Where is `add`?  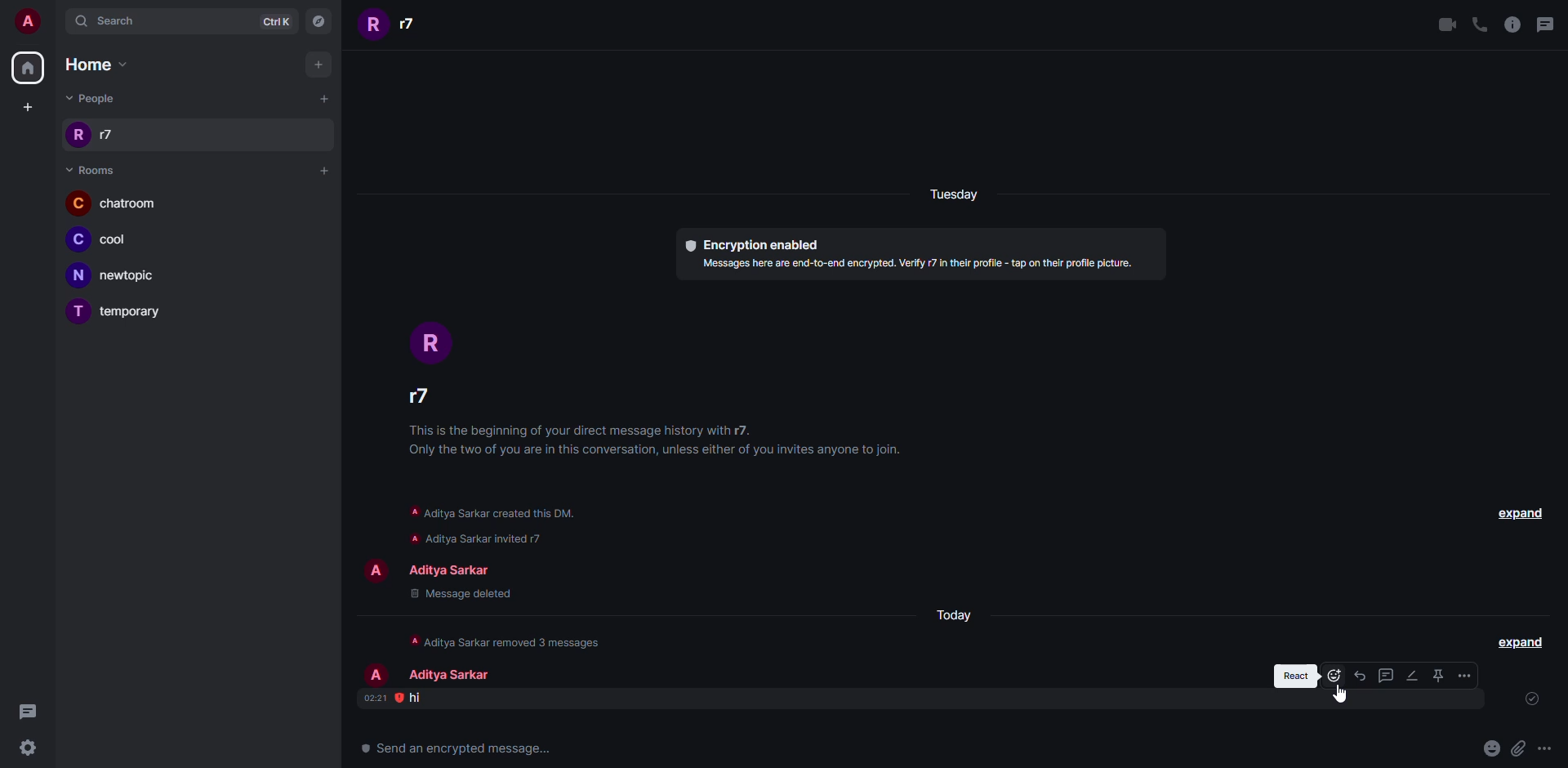
add is located at coordinates (322, 65).